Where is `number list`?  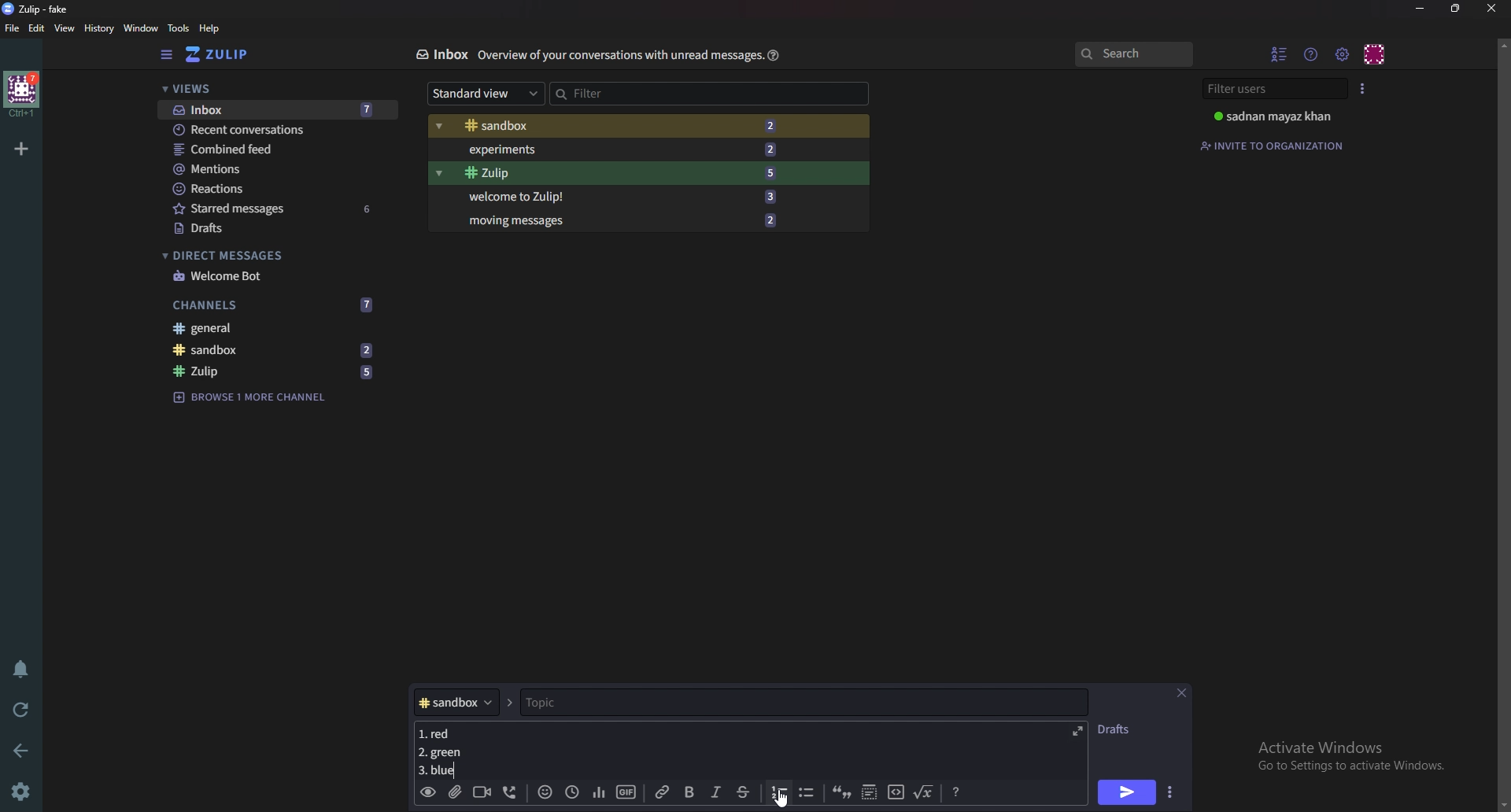
number list is located at coordinates (779, 792).